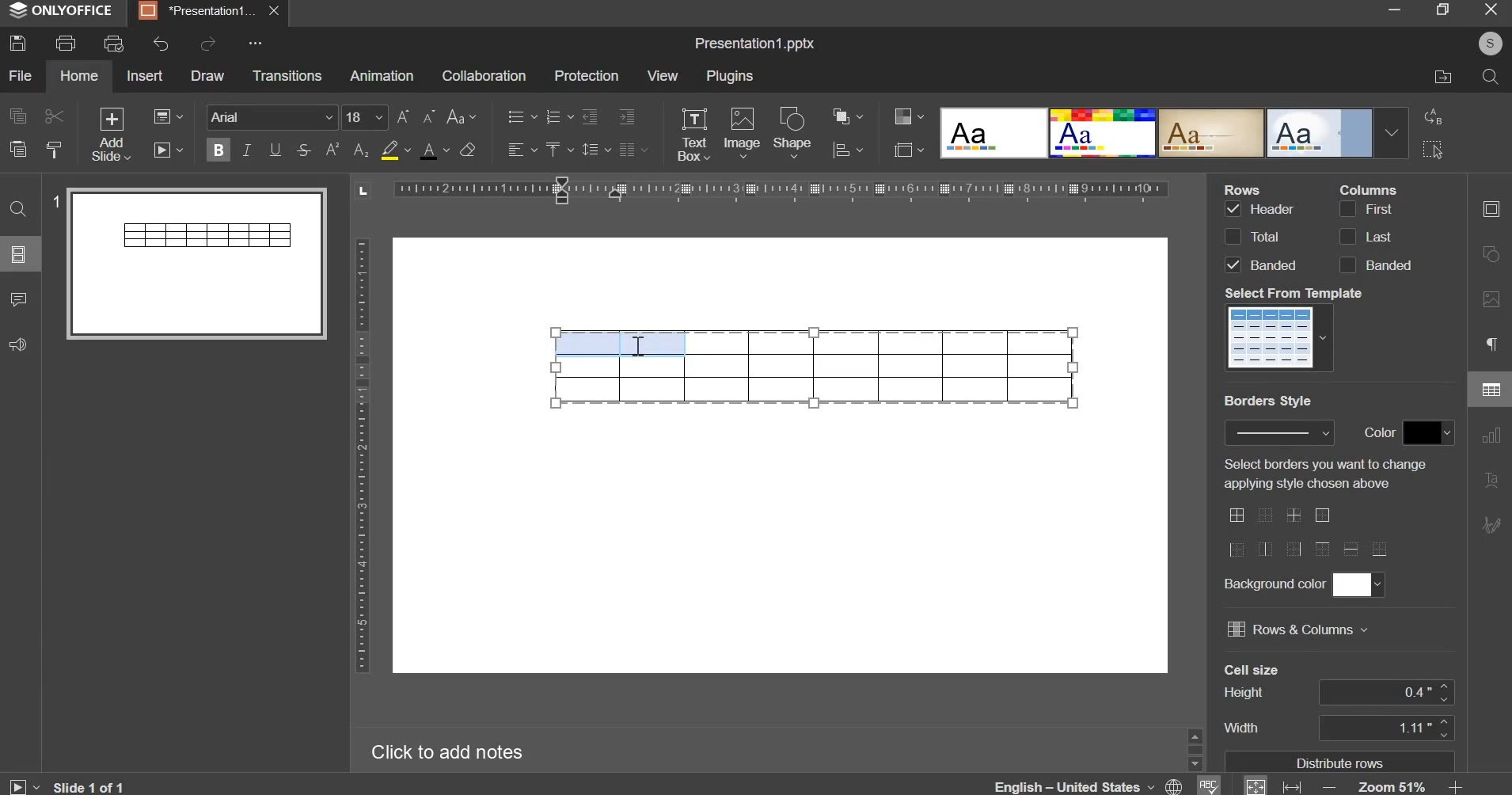  I want to click on print preview, so click(113, 45).